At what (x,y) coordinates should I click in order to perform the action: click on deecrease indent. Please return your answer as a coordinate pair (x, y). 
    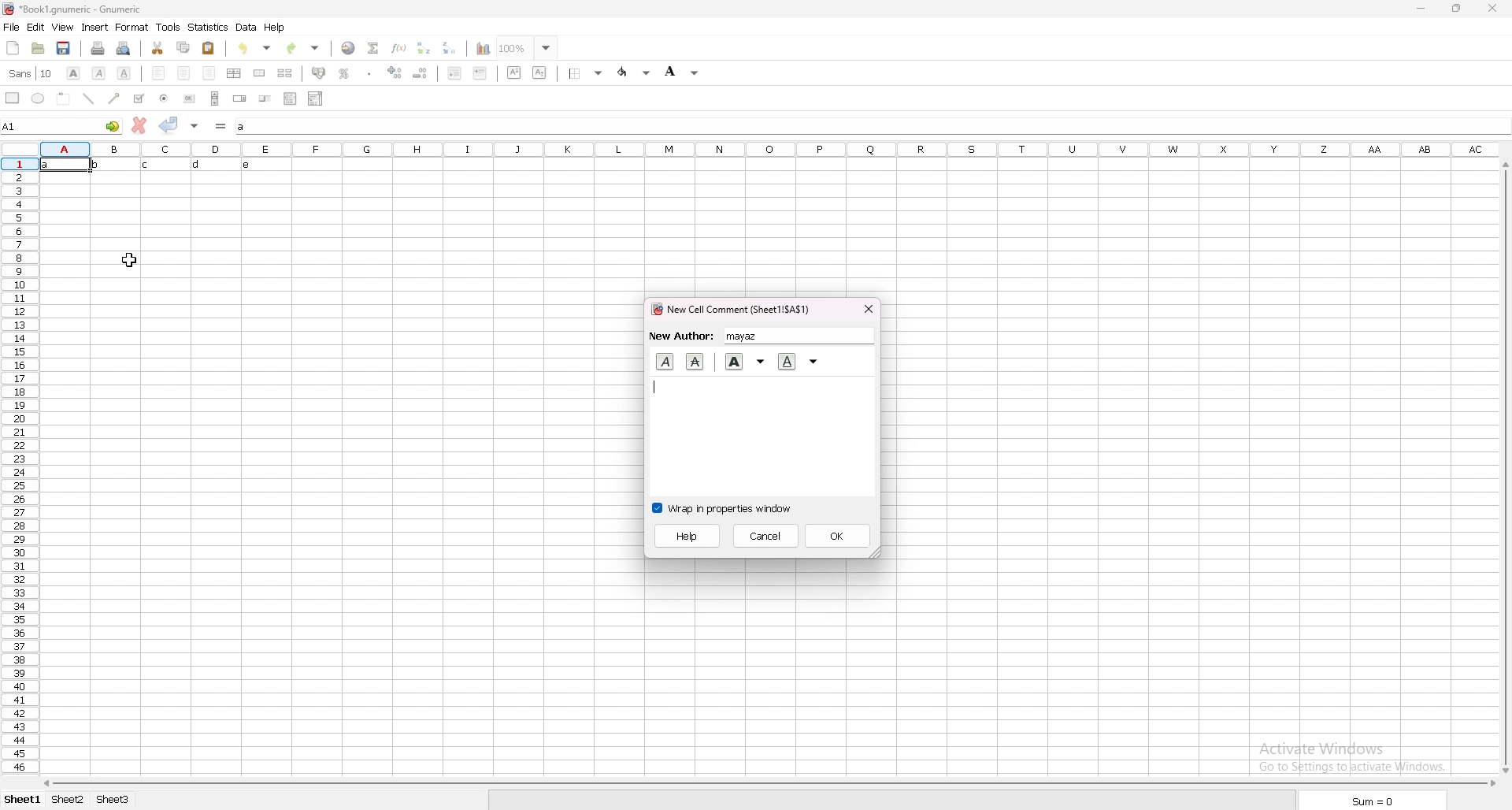
    Looking at the image, I should click on (454, 73).